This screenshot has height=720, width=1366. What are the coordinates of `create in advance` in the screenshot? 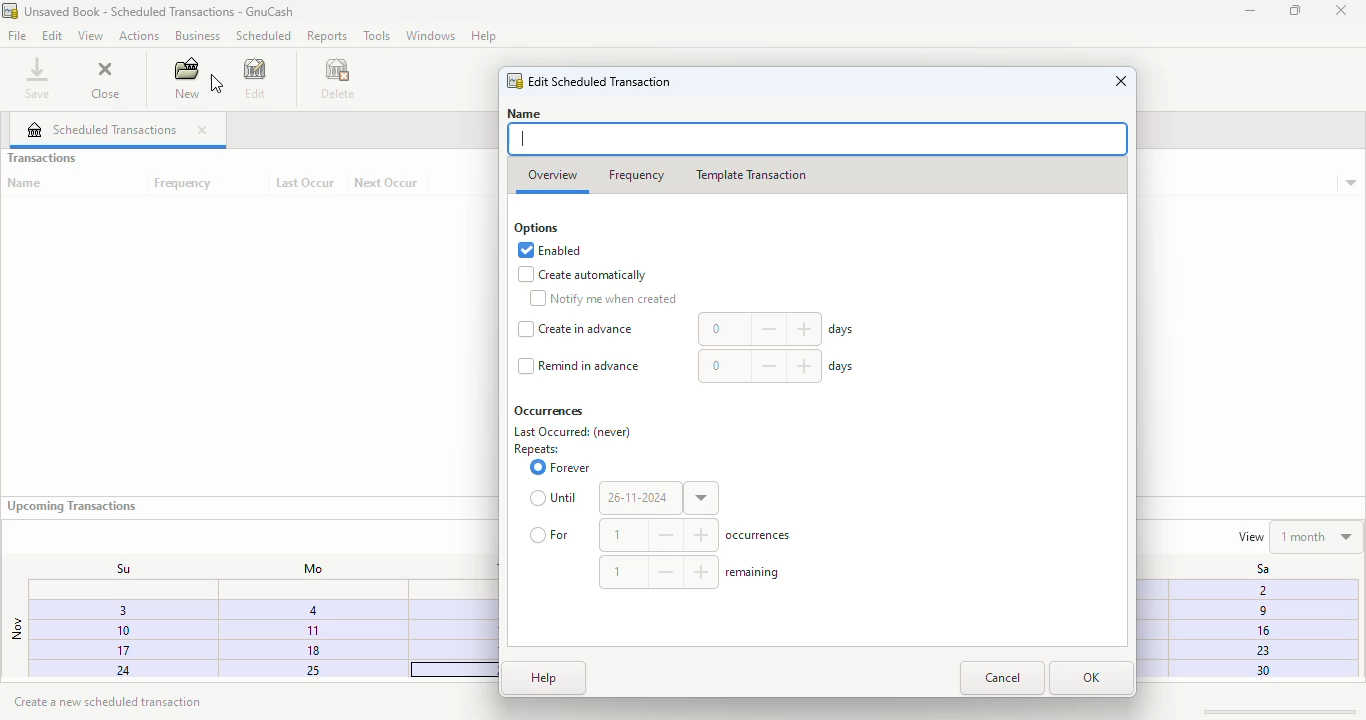 It's located at (576, 329).